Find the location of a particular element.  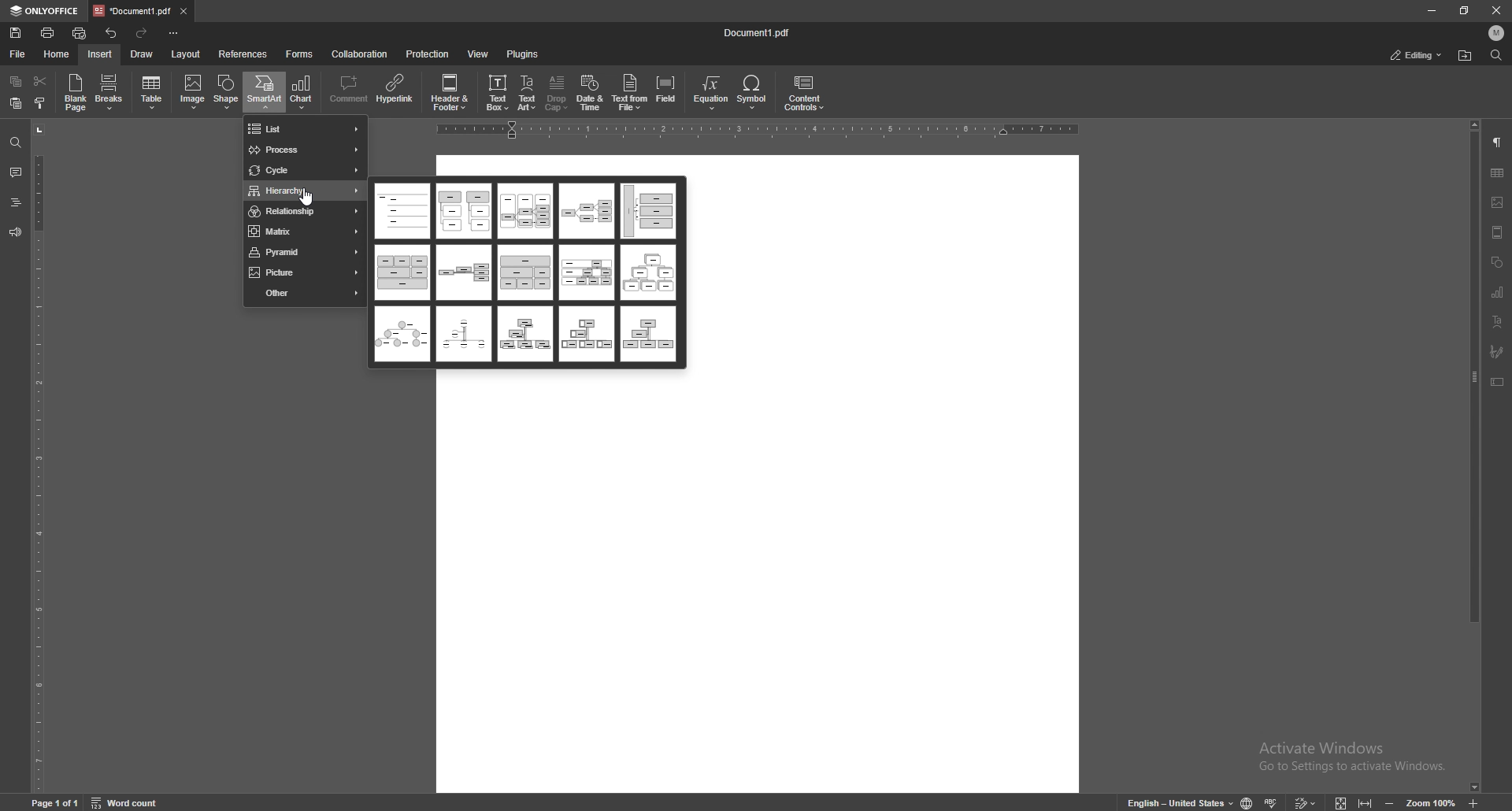

hierarchy smart art is located at coordinates (646, 210).